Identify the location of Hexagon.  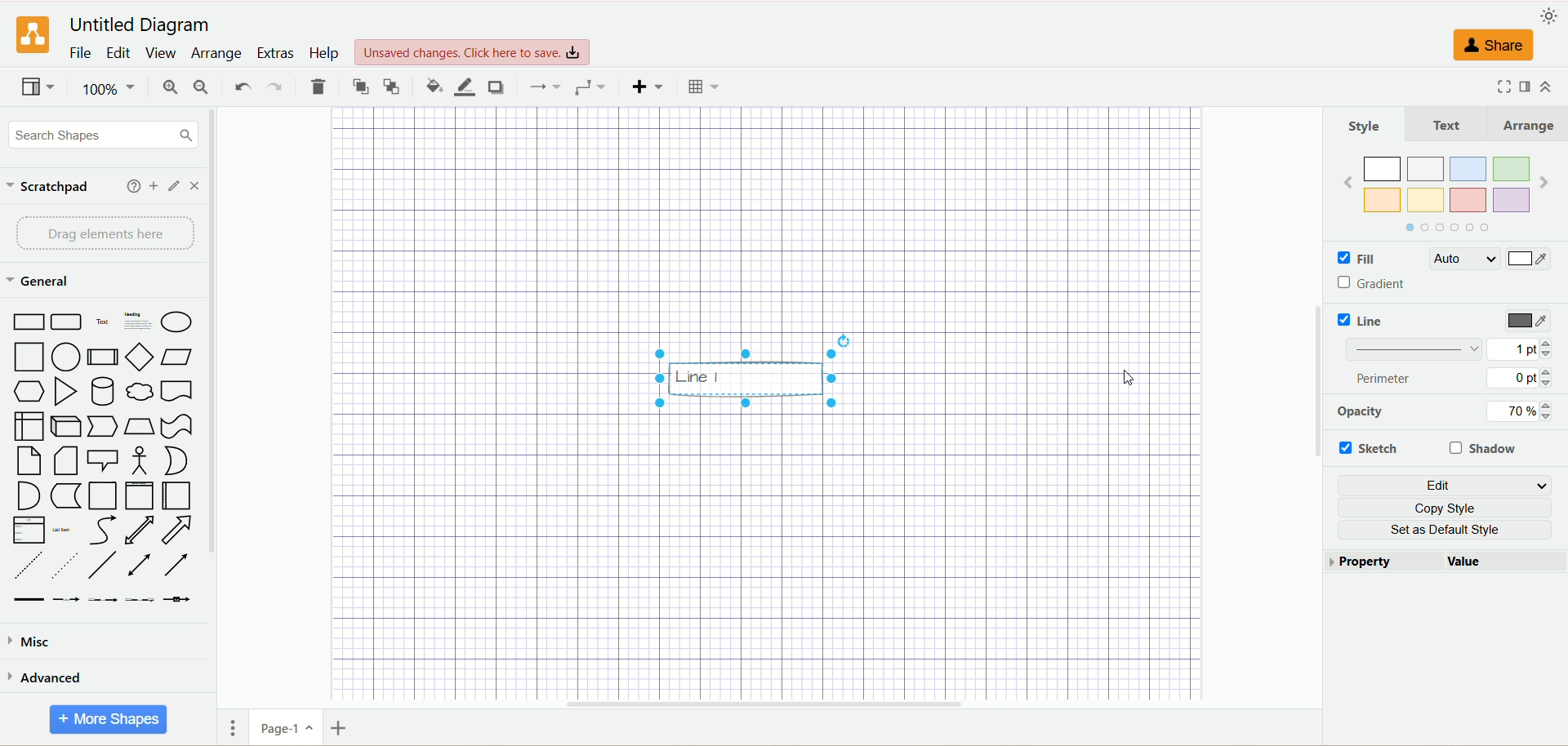
(29, 393).